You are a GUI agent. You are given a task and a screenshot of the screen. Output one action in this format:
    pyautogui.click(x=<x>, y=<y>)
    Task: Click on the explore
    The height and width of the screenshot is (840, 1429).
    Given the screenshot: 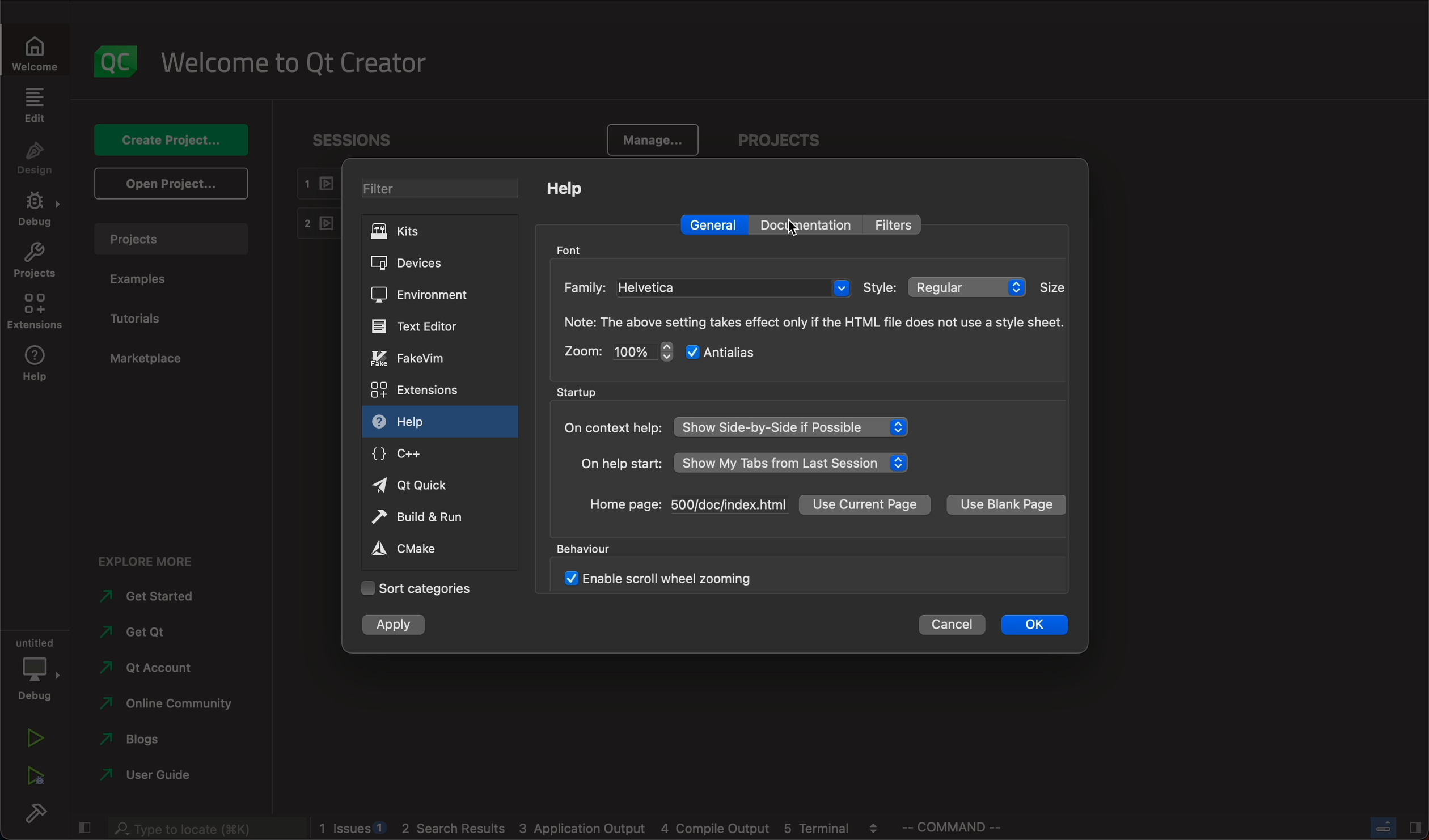 What is the action you would take?
    pyautogui.click(x=160, y=564)
    